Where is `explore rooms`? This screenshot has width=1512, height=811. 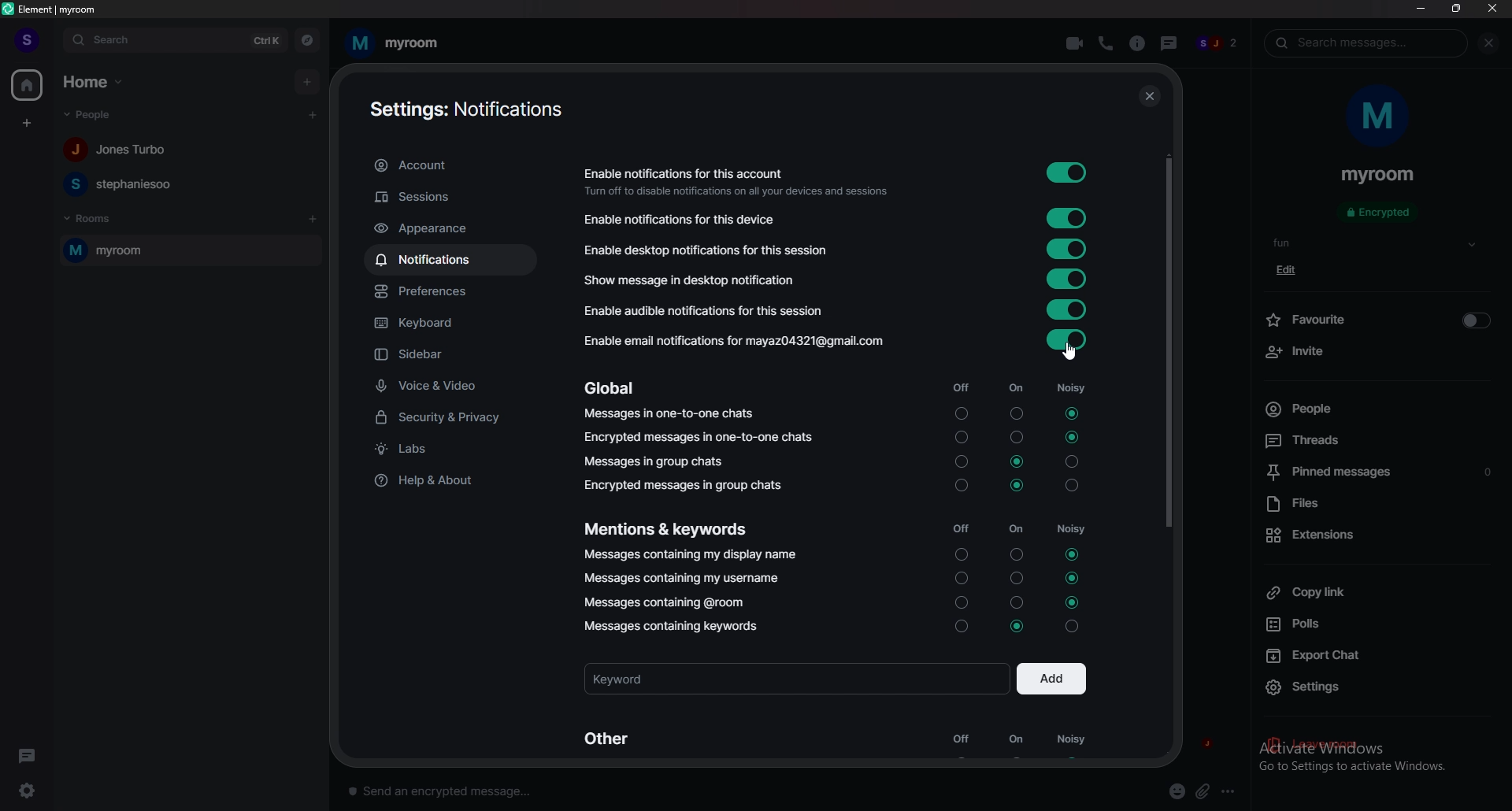
explore rooms is located at coordinates (307, 39).